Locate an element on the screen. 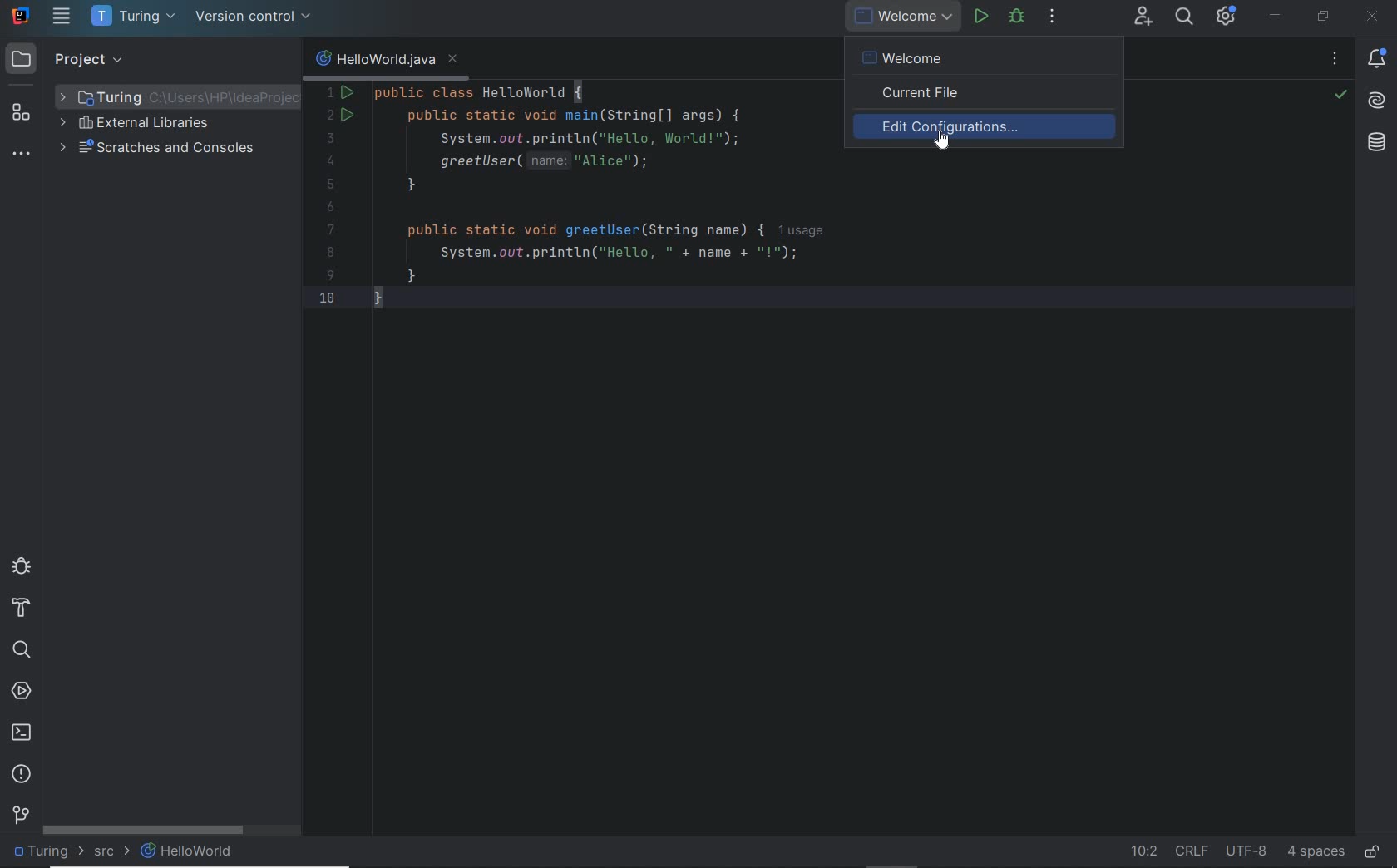 The height and width of the screenshot is (868, 1397). notifications is located at coordinates (1380, 60).